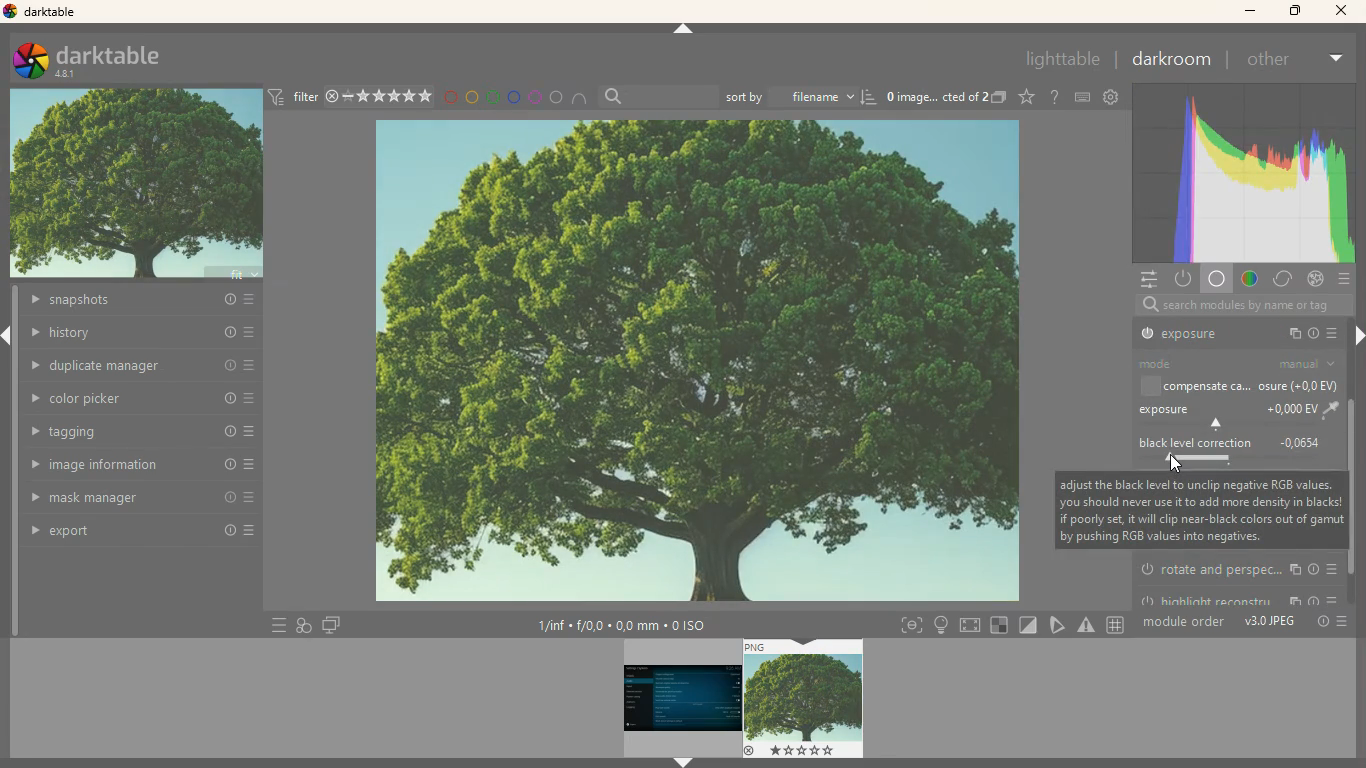  I want to click on effect, so click(1316, 280).